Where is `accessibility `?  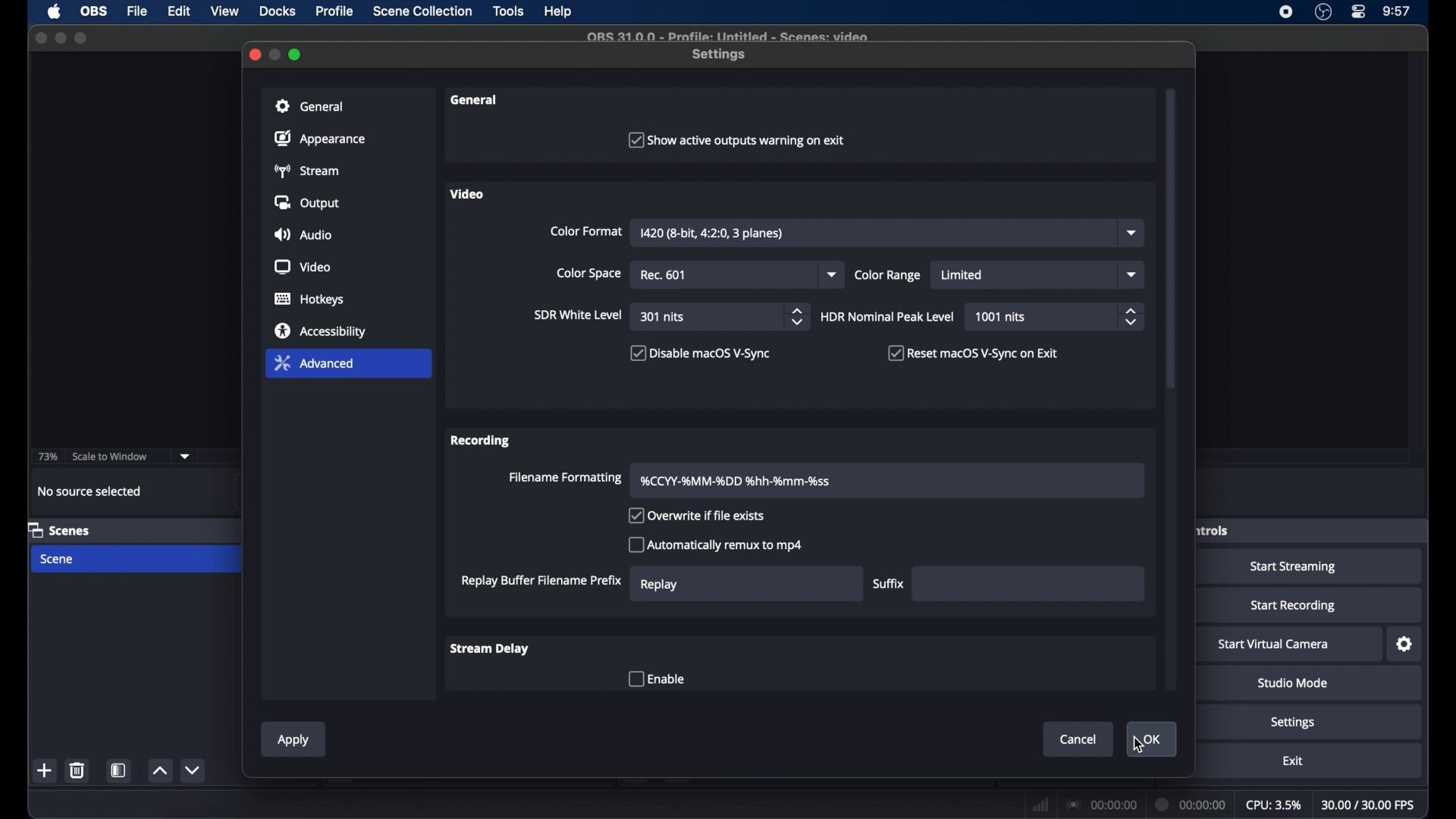 accessibility  is located at coordinates (322, 331).